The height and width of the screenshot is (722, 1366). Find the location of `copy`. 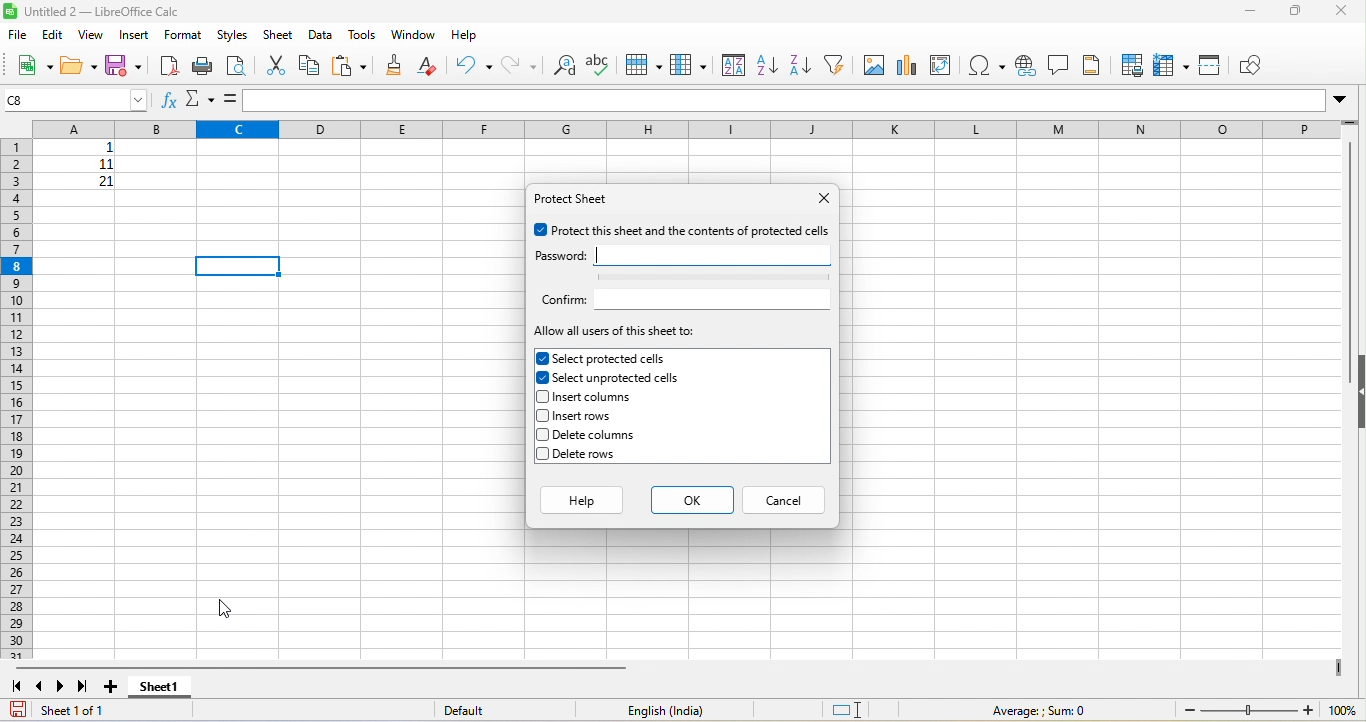

copy is located at coordinates (310, 67).